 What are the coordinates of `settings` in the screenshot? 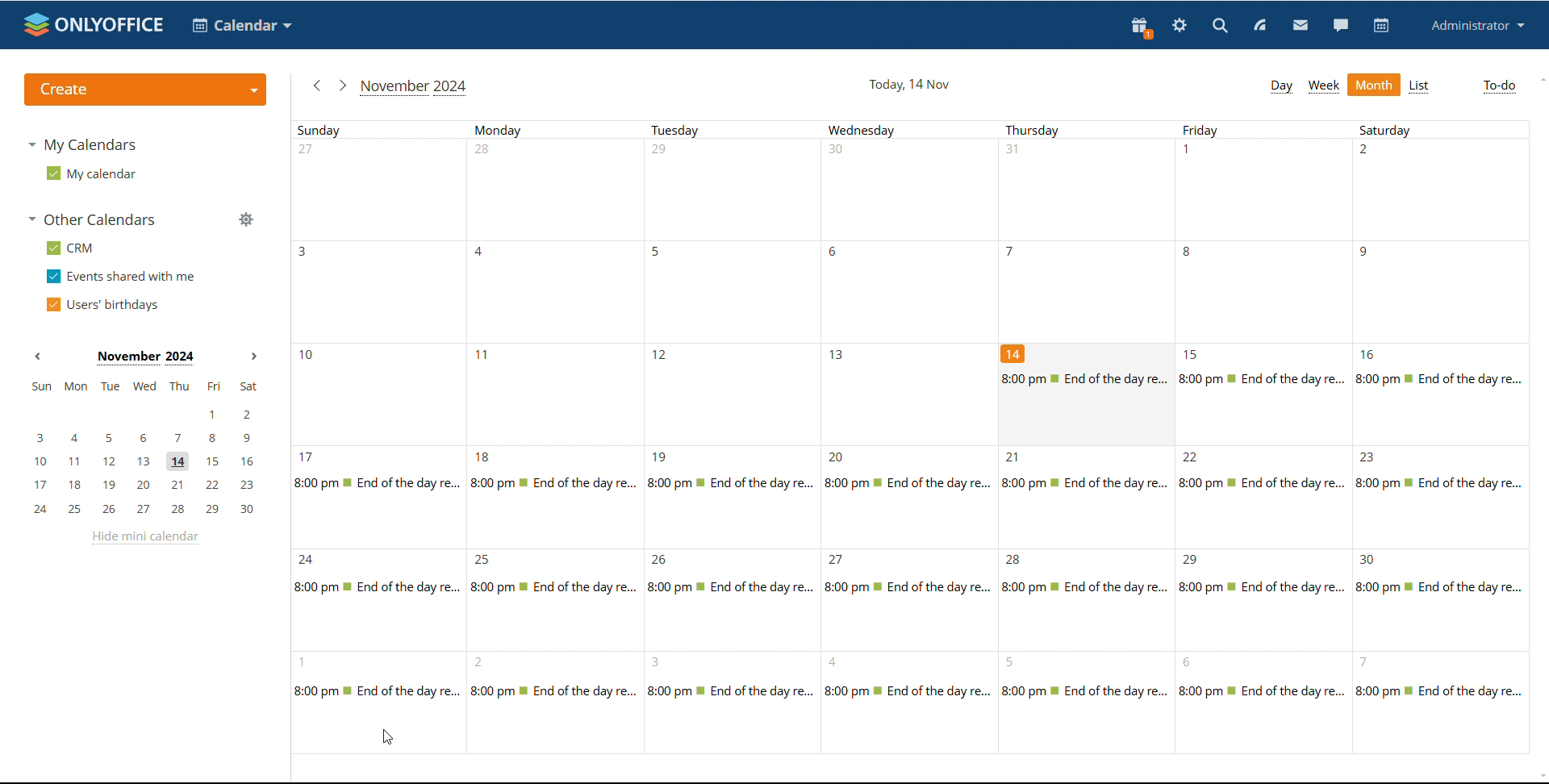 It's located at (1179, 27).